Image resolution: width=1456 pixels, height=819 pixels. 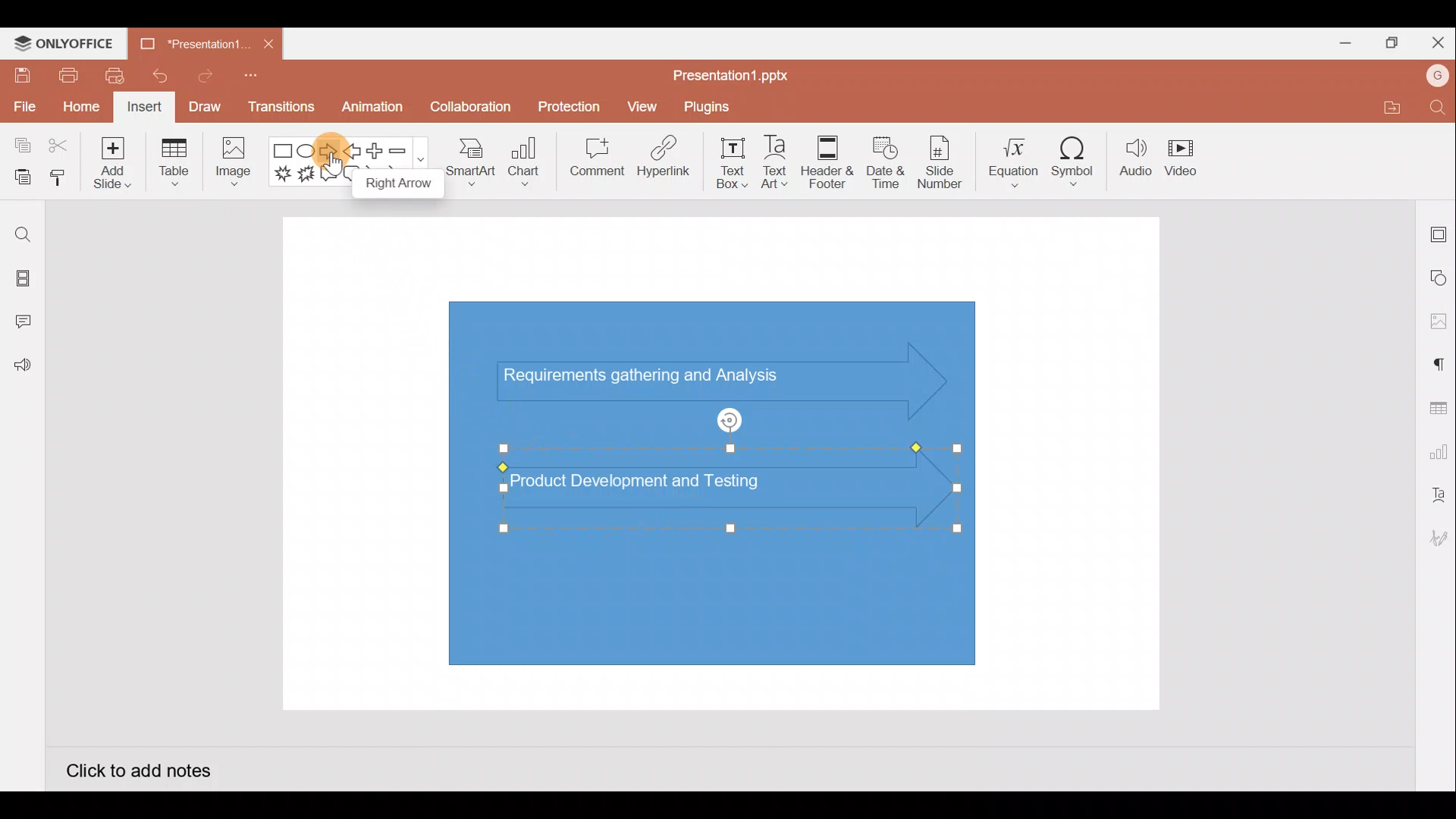 What do you see at coordinates (23, 234) in the screenshot?
I see `Find` at bounding box center [23, 234].